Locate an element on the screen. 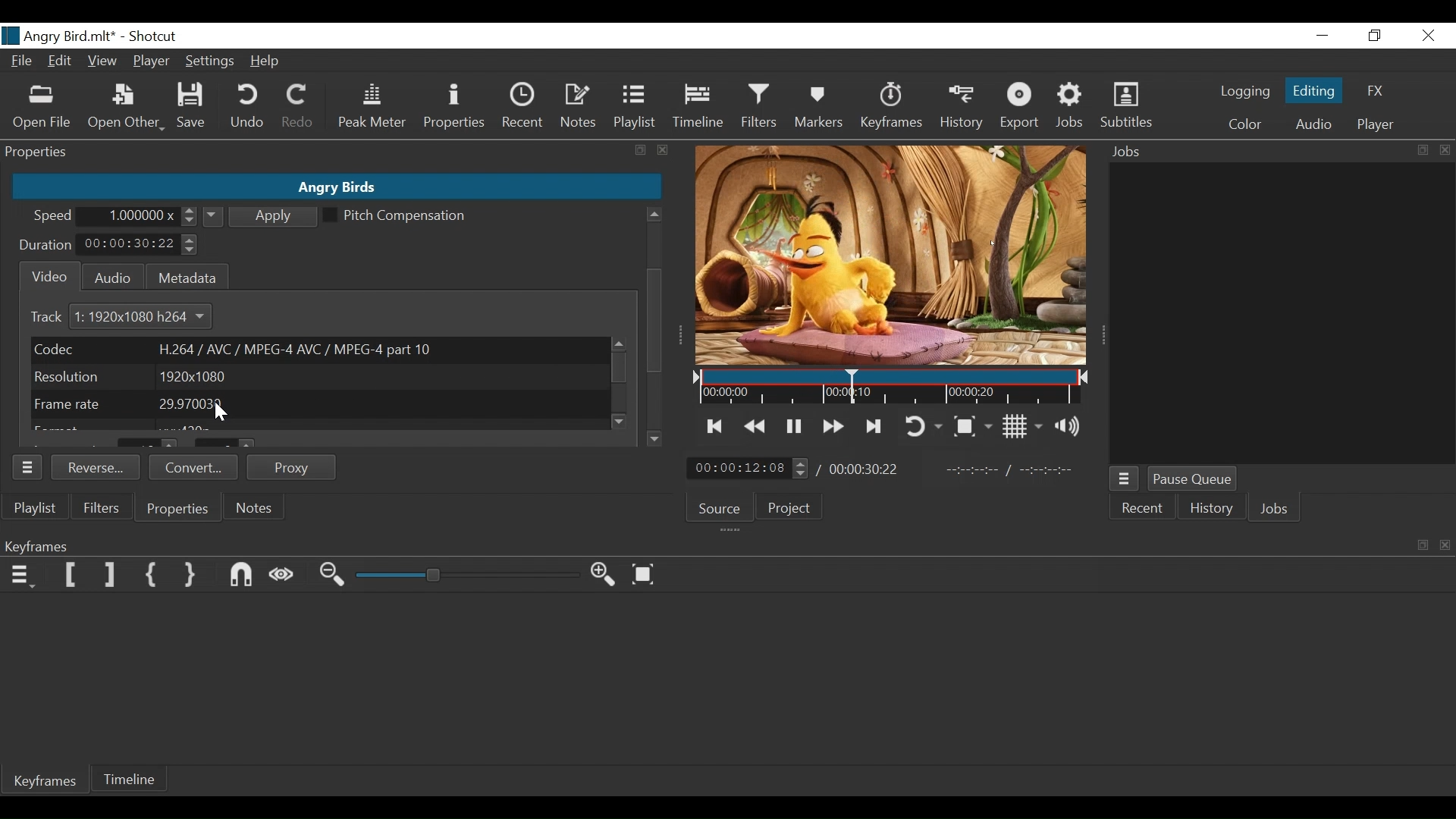 This screenshot has width=1456, height=819. Insertion cursor is located at coordinates (848, 387).